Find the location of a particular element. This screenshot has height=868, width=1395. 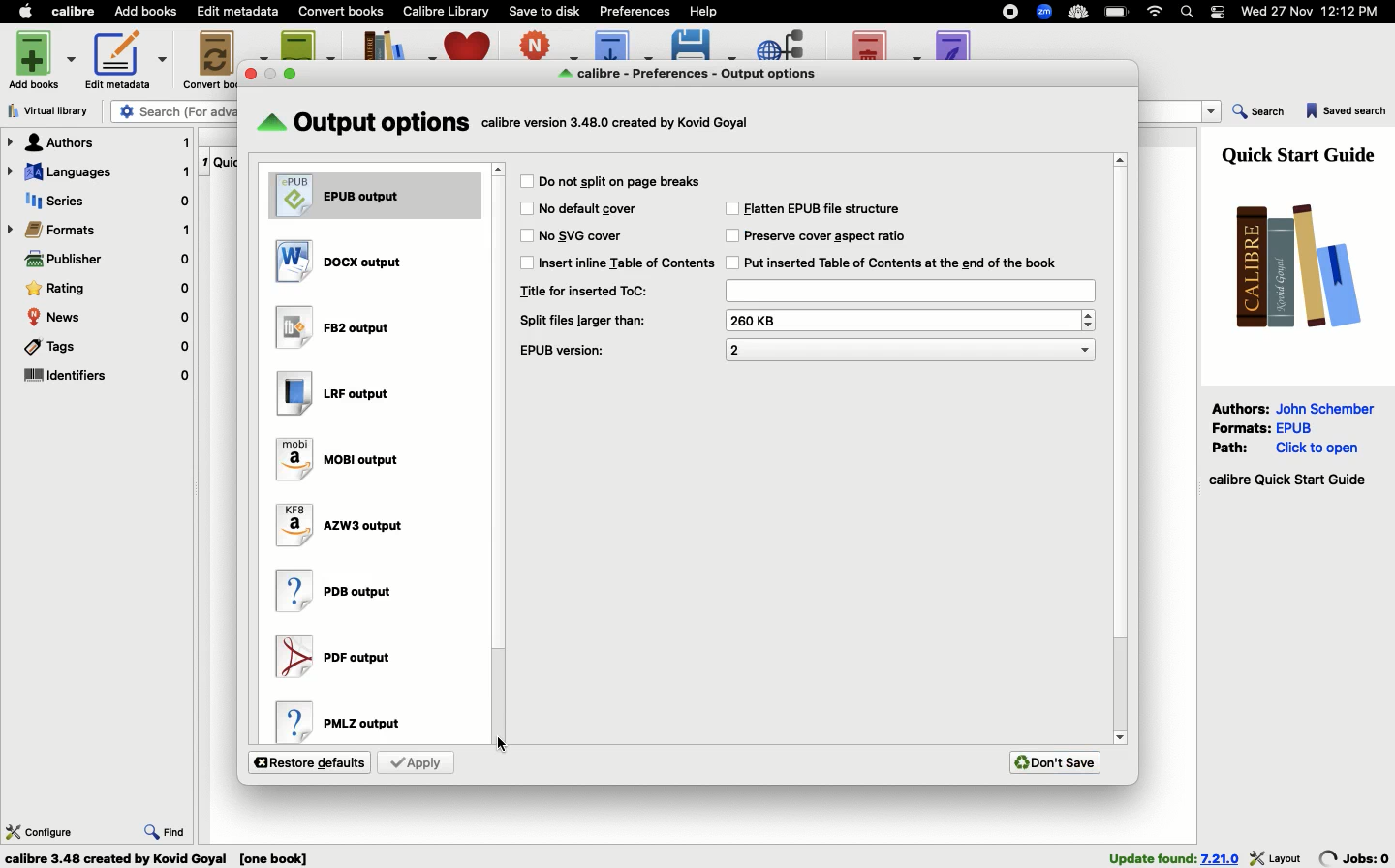

Formats is located at coordinates (100, 230).